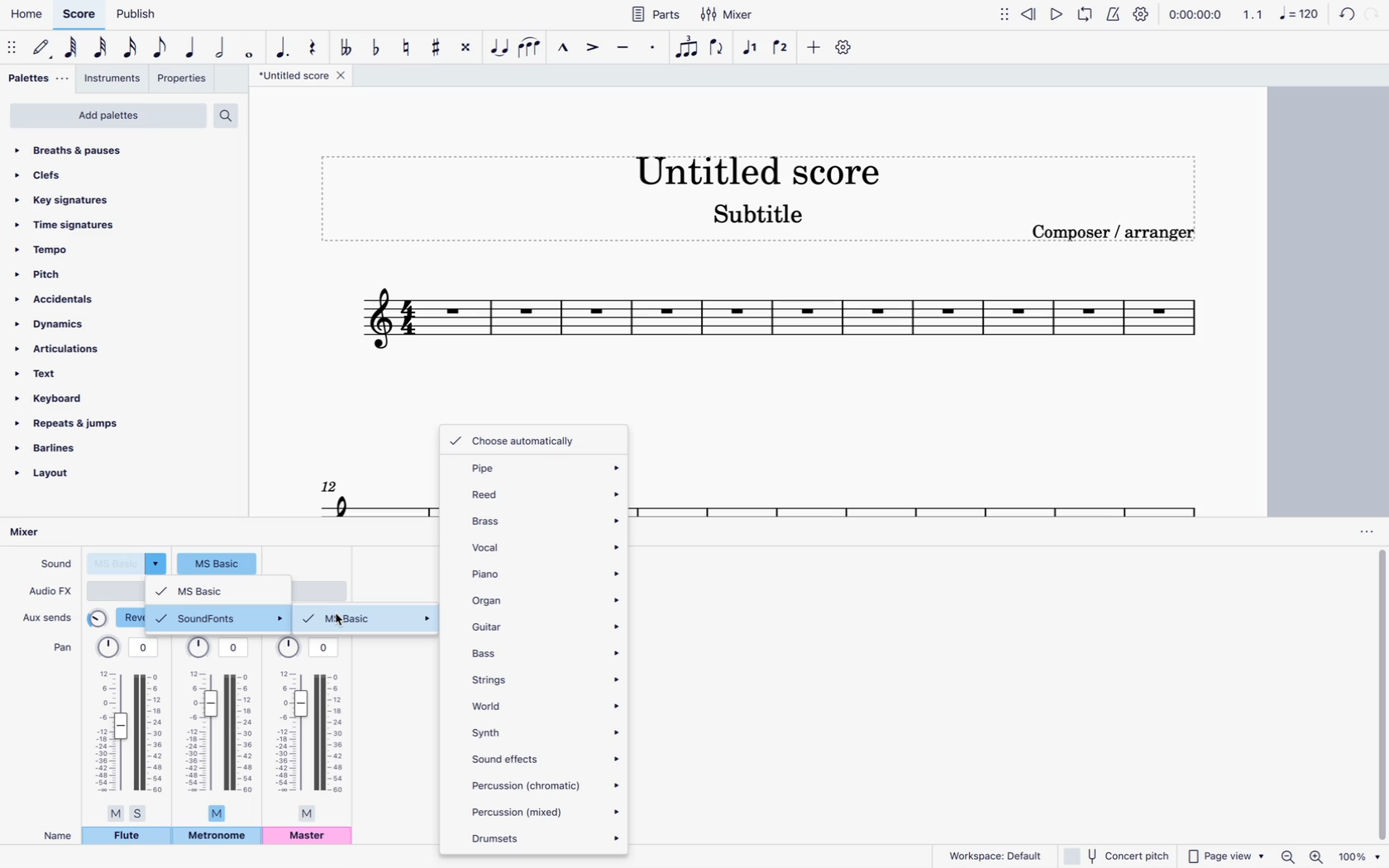  I want to click on reverb, so click(117, 618).